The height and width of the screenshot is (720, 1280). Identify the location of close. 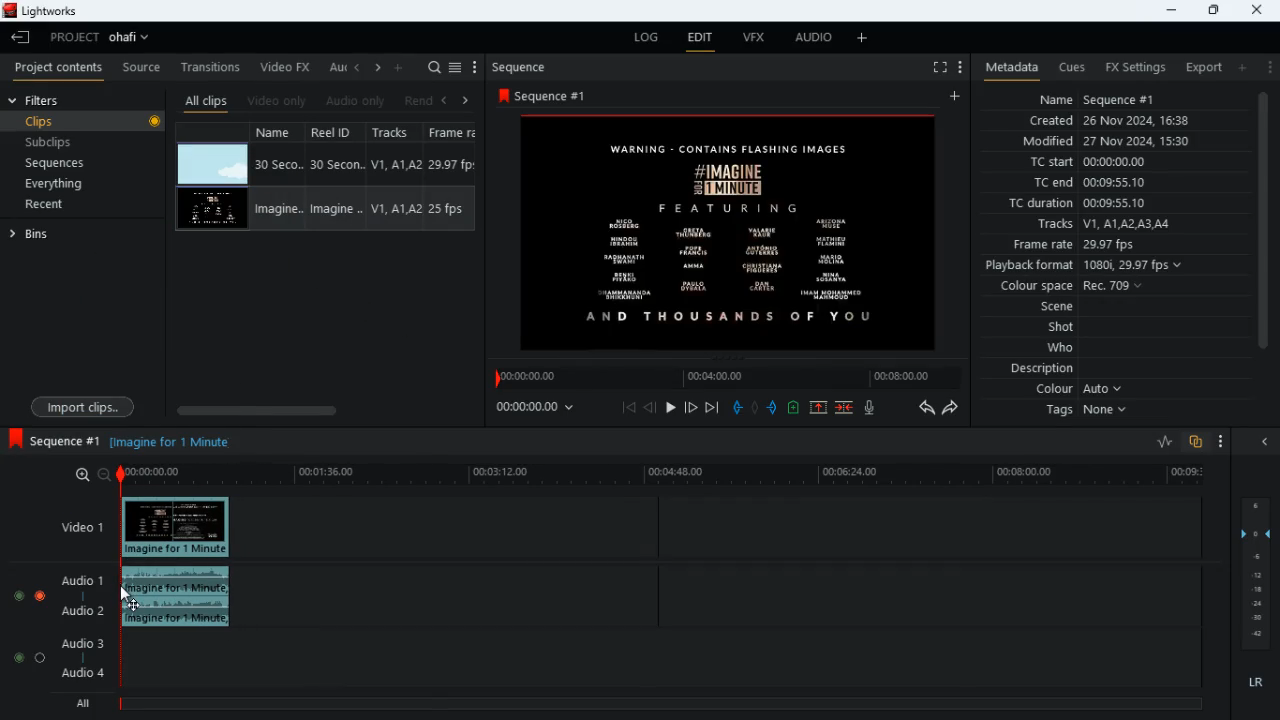
(1269, 443).